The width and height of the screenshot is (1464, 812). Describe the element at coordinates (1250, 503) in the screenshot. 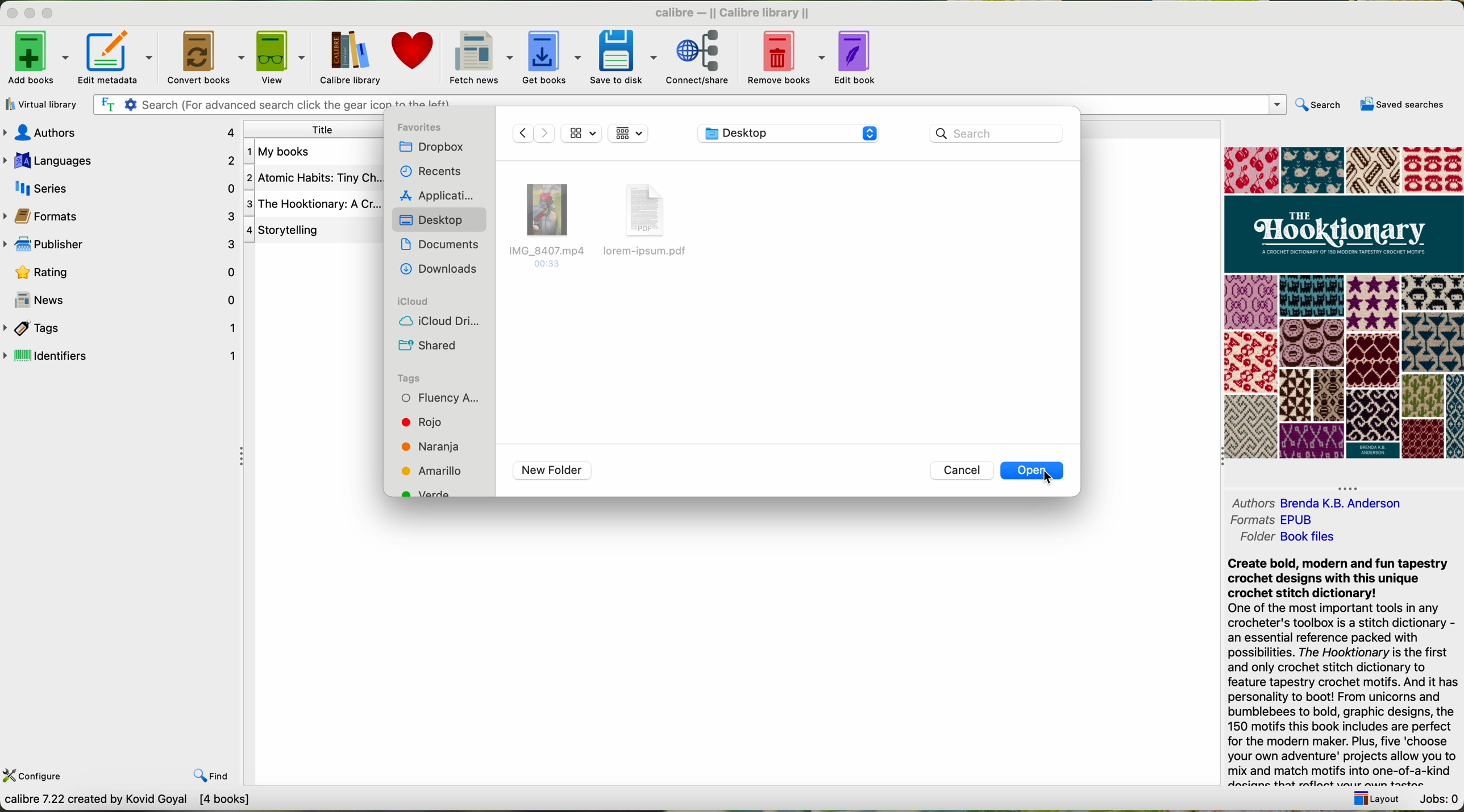

I see `authors` at that location.